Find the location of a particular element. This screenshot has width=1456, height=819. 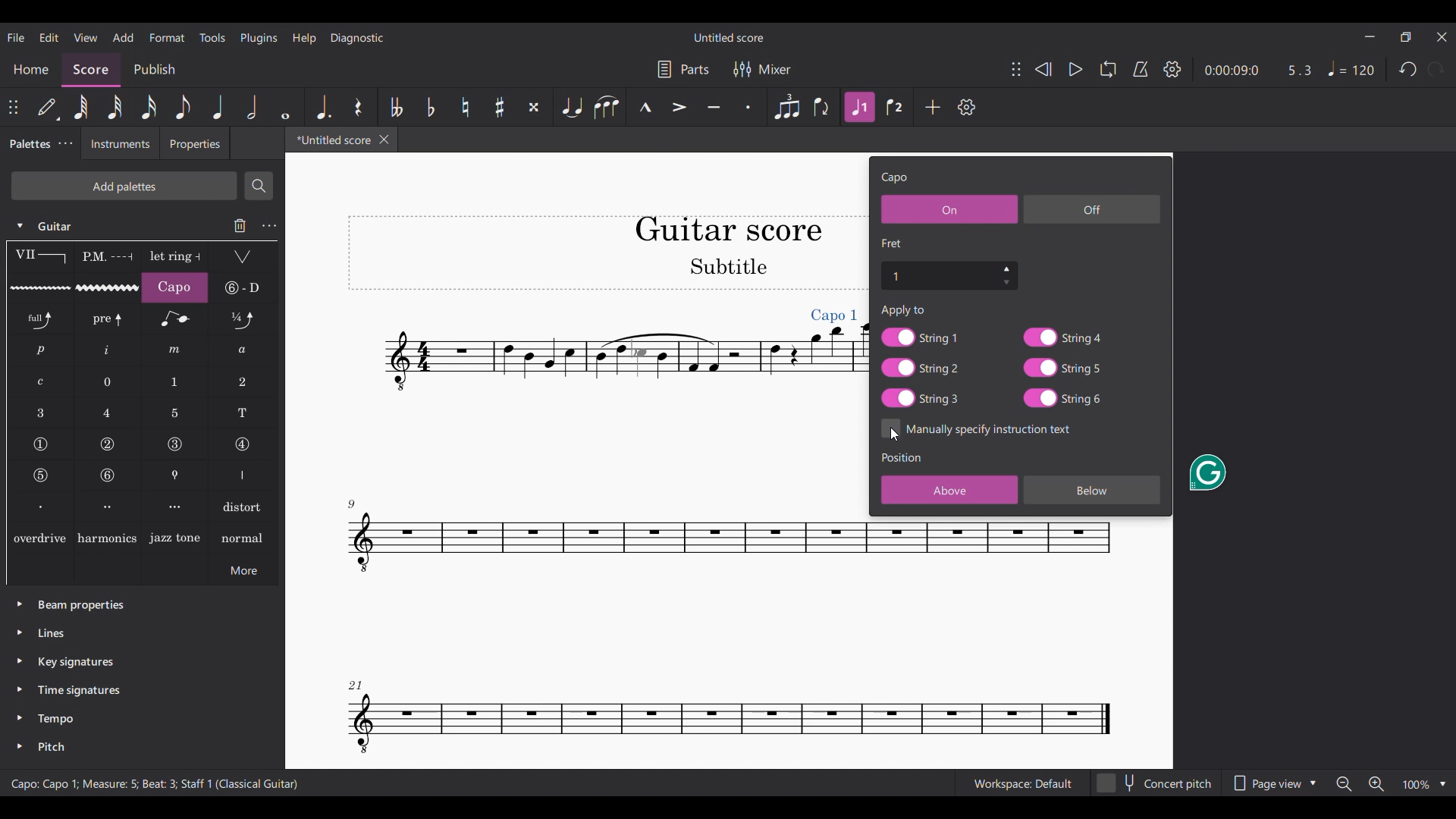

Minimize is located at coordinates (1370, 36).